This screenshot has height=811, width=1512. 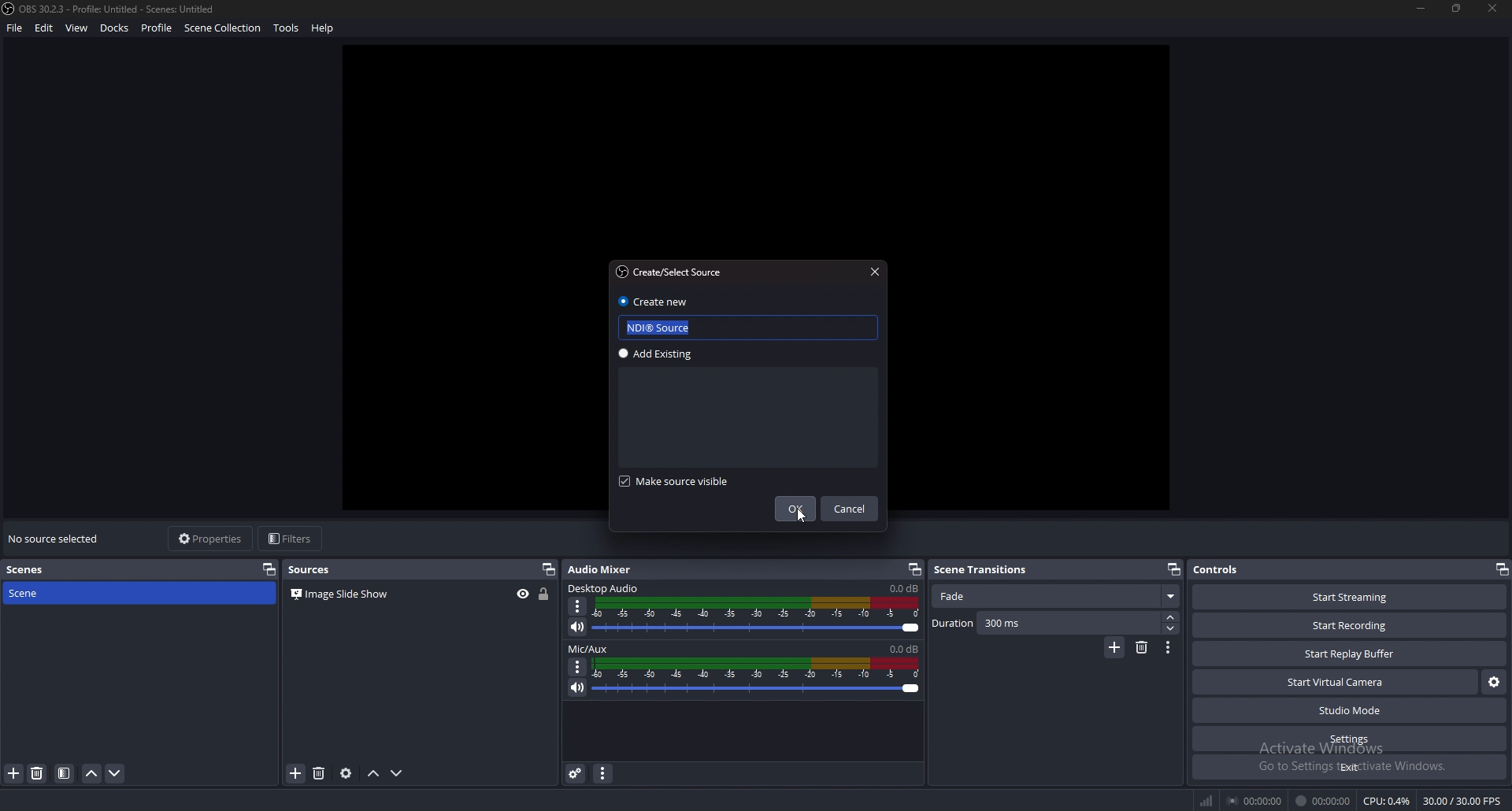 What do you see at coordinates (1350, 598) in the screenshot?
I see `start streaming` at bounding box center [1350, 598].